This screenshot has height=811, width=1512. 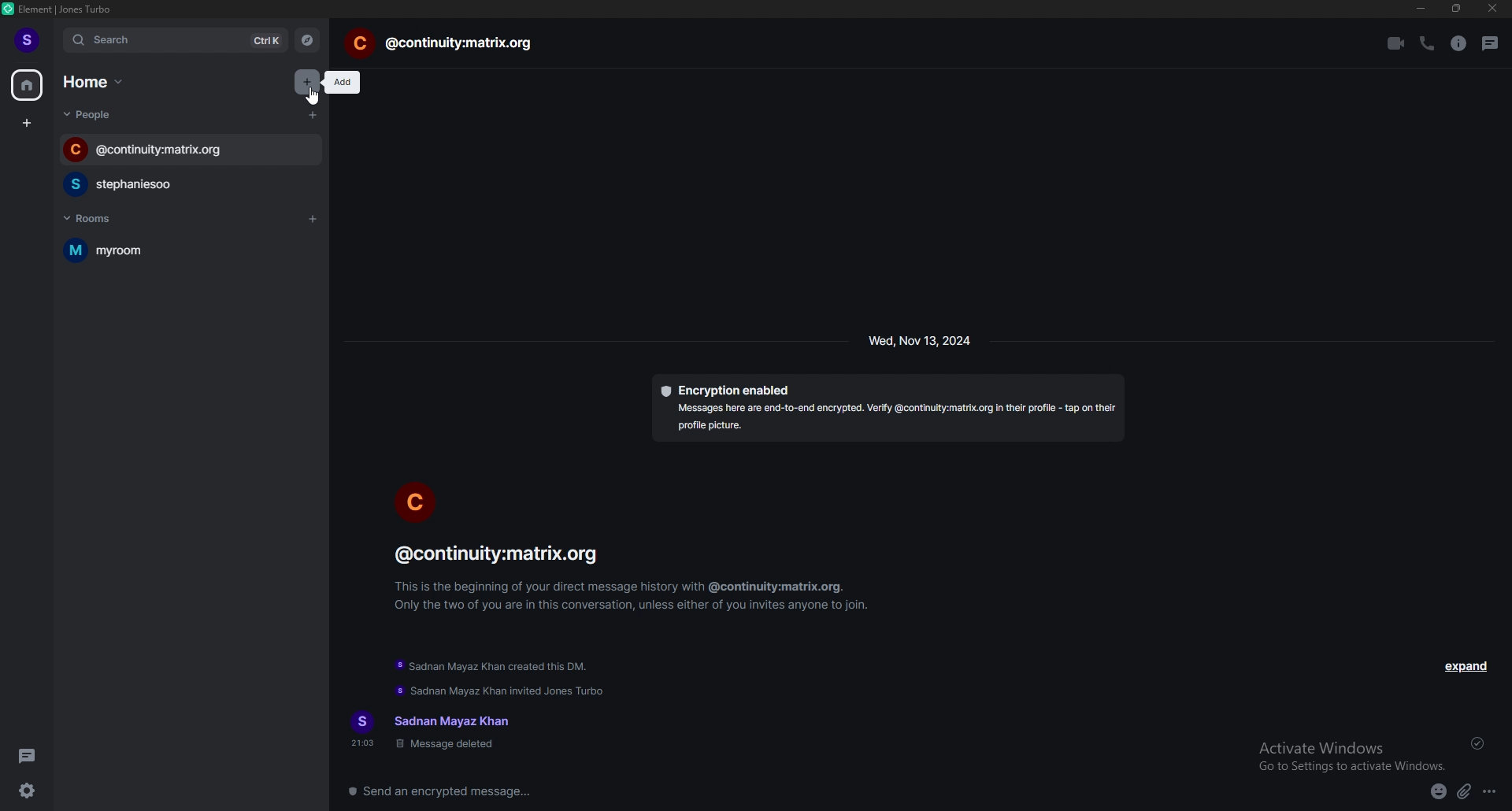 What do you see at coordinates (502, 691) in the screenshot?
I see `update` at bounding box center [502, 691].